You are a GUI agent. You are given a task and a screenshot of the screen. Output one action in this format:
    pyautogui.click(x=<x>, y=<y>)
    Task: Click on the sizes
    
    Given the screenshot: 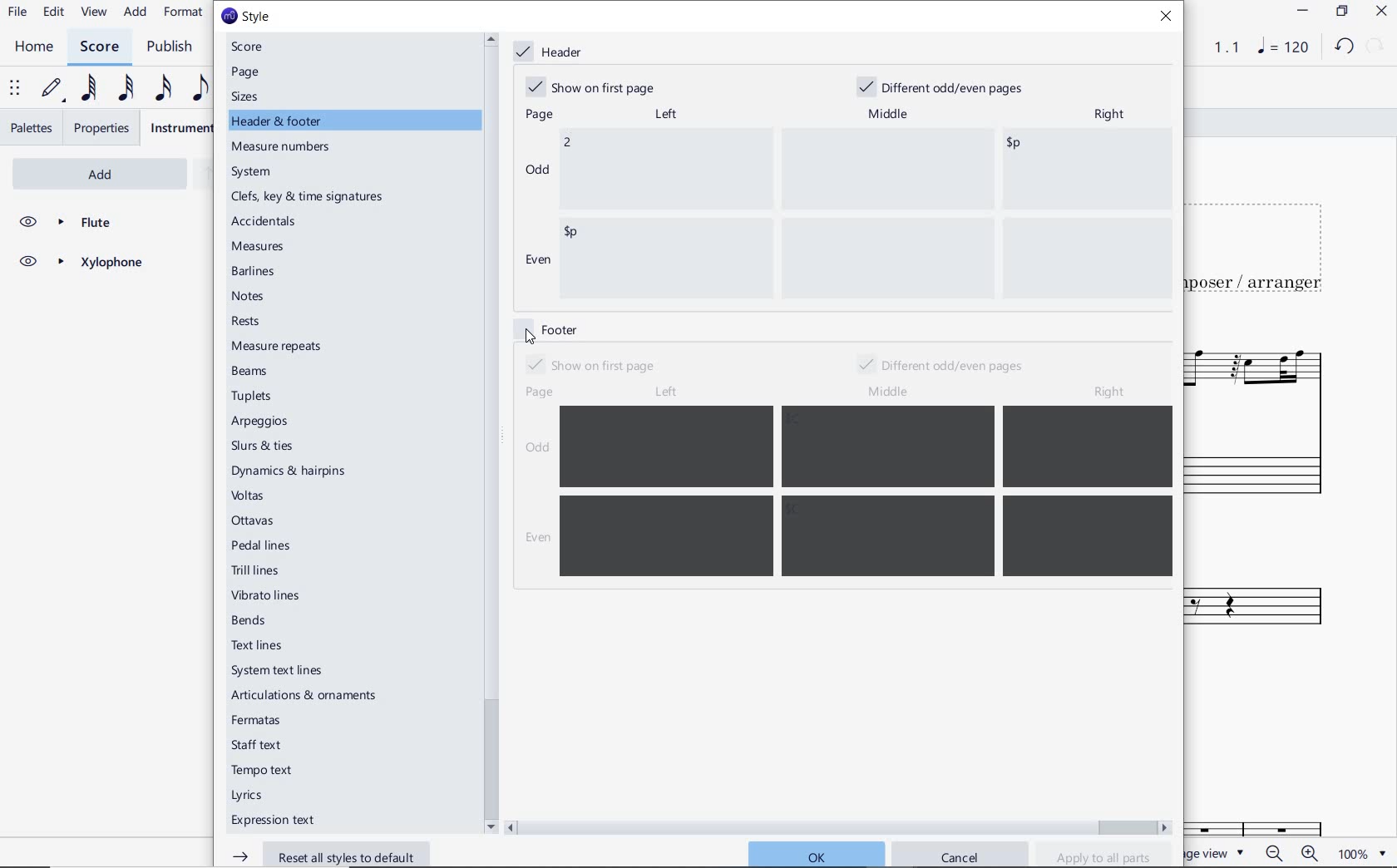 What is the action you would take?
    pyautogui.click(x=249, y=96)
    